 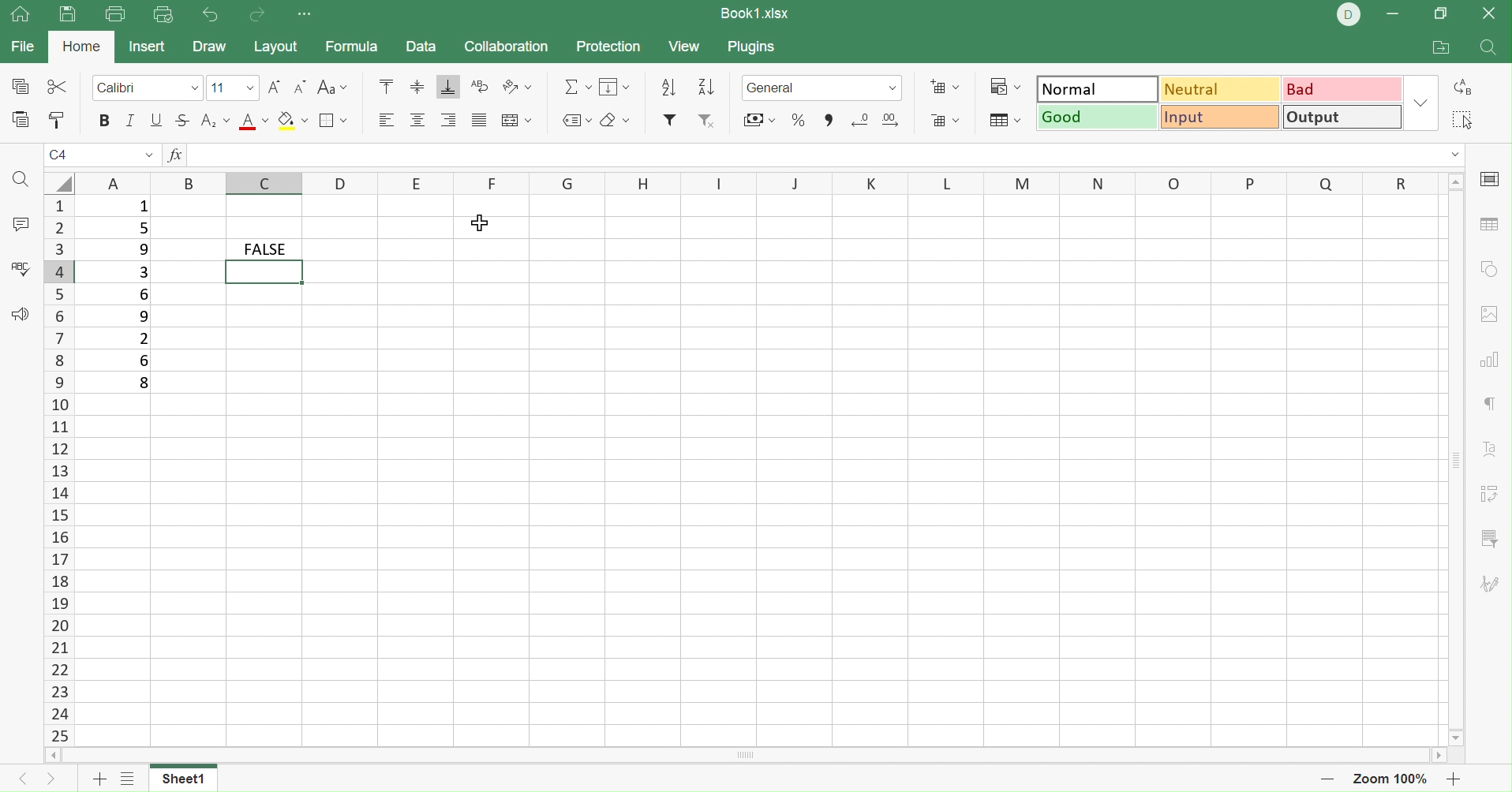 What do you see at coordinates (421, 46) in the screenshot?
I see `Data` at bounding box center [421, 46].